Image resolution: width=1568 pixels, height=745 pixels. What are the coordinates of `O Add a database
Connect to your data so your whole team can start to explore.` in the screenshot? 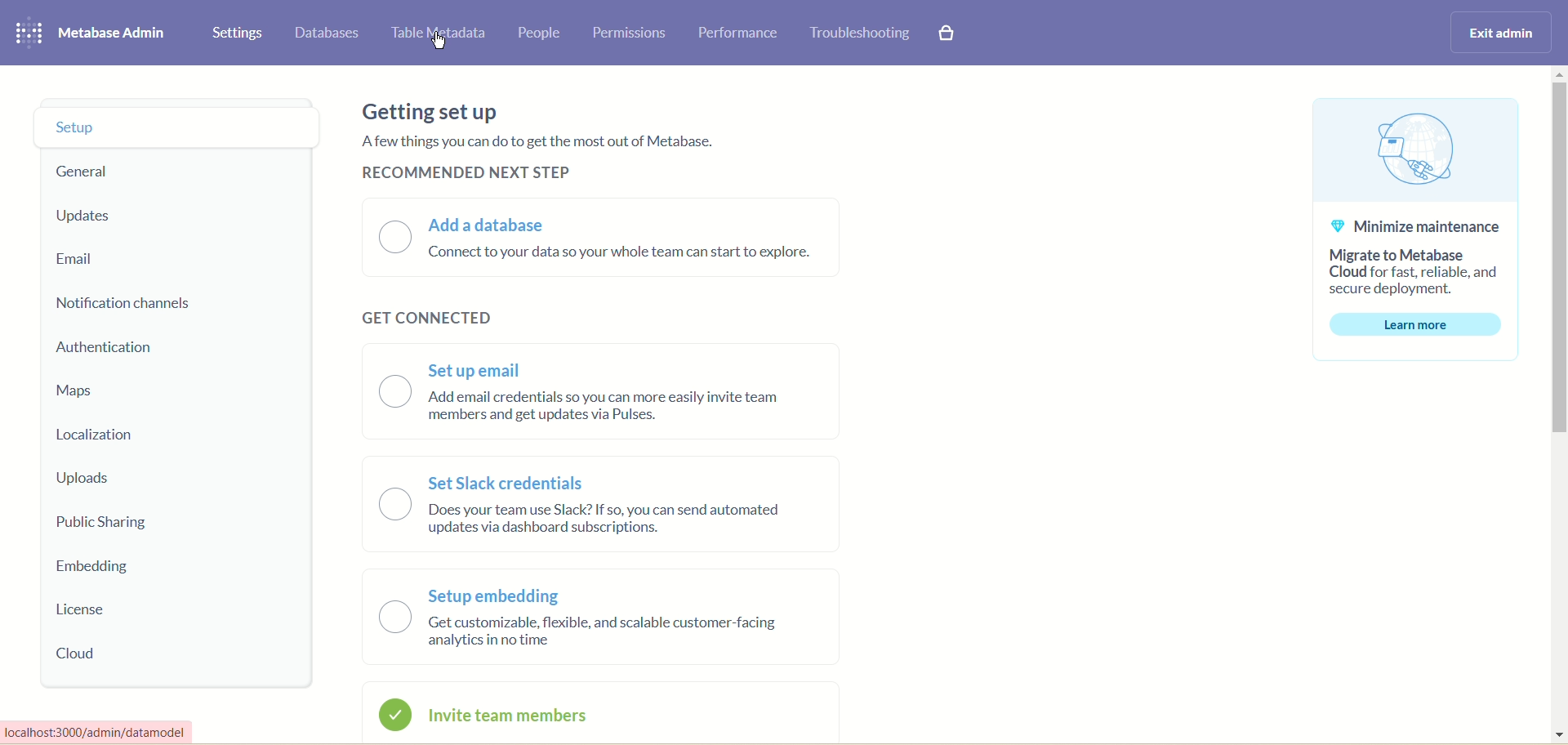 It's located at (599, 240).